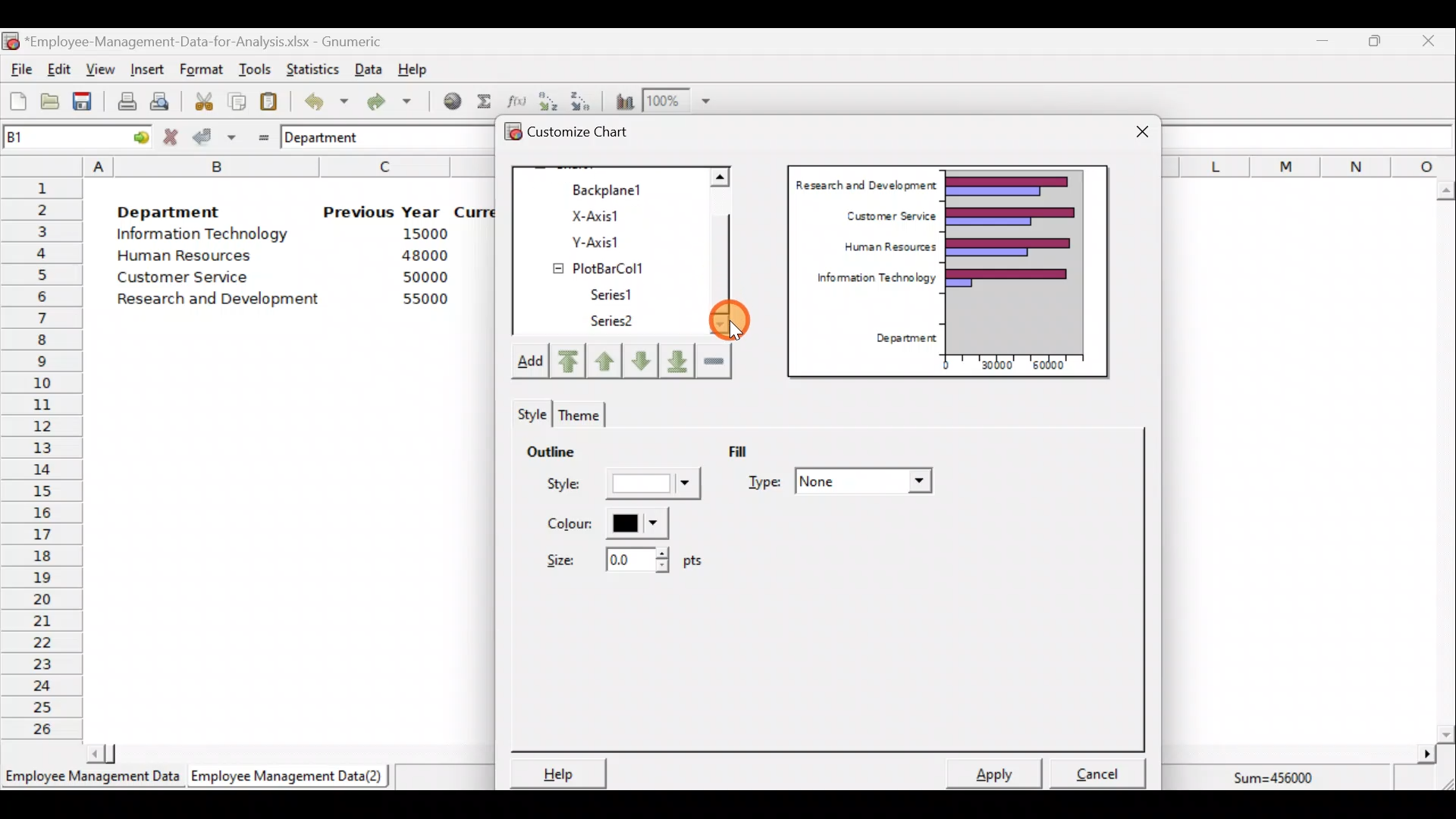 The image size is (1456, 819). Describe the element at coordinates (604, 359) in the screenshot. I see `Move up` at that location.